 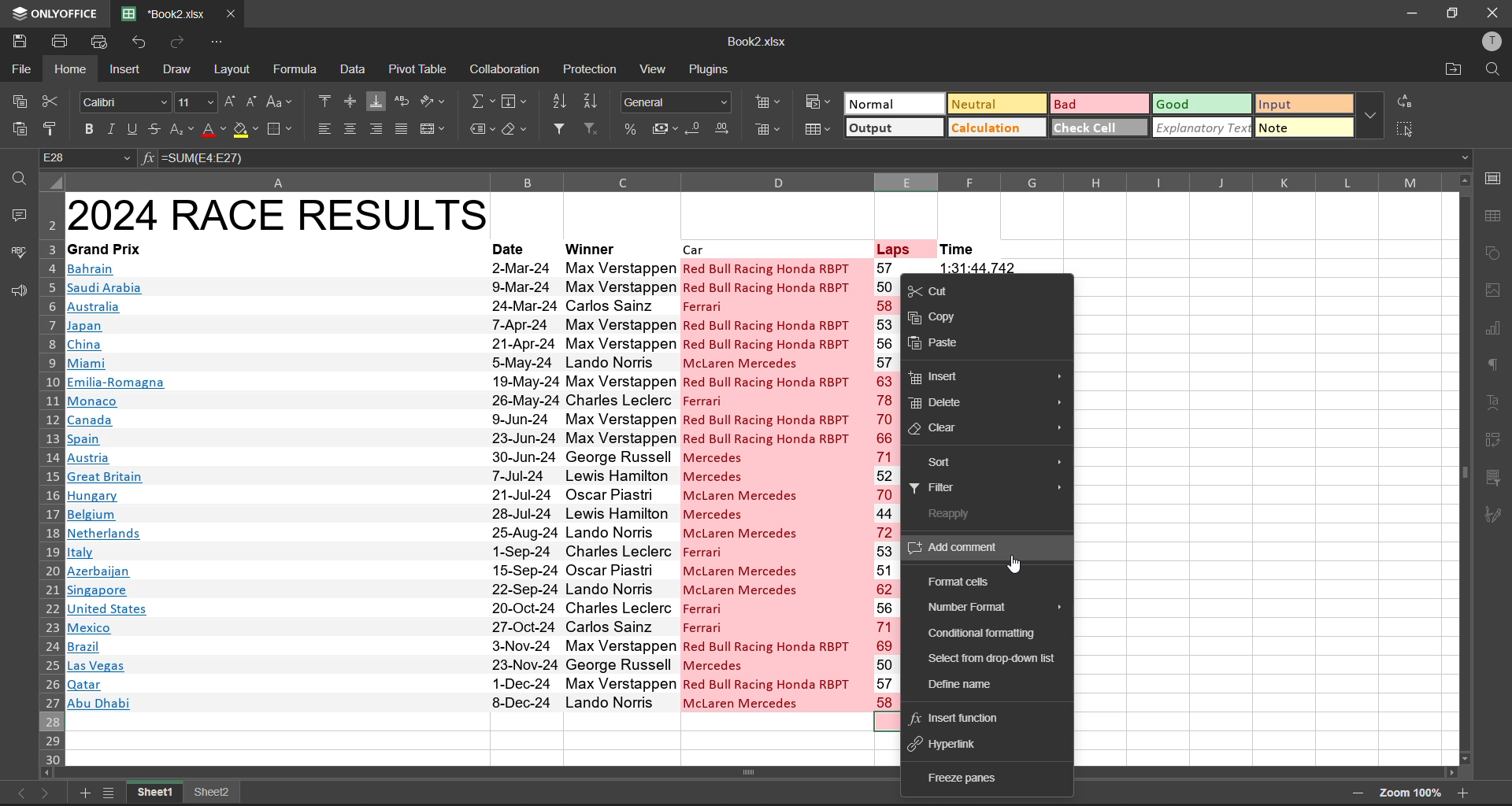 I want to click on align center, so click(x=354, y=128).